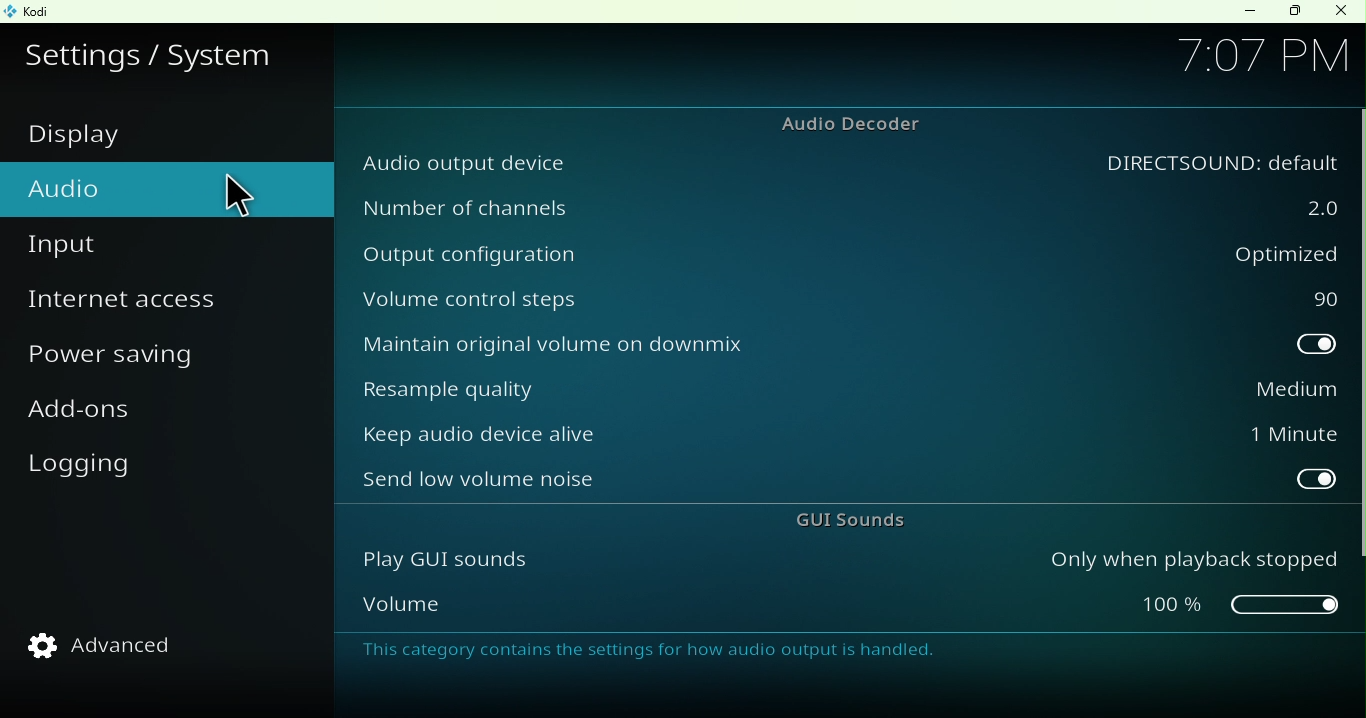 The height and width of the screenshot is (718, 1366). I want to click on Internet access, so click(136, 307).